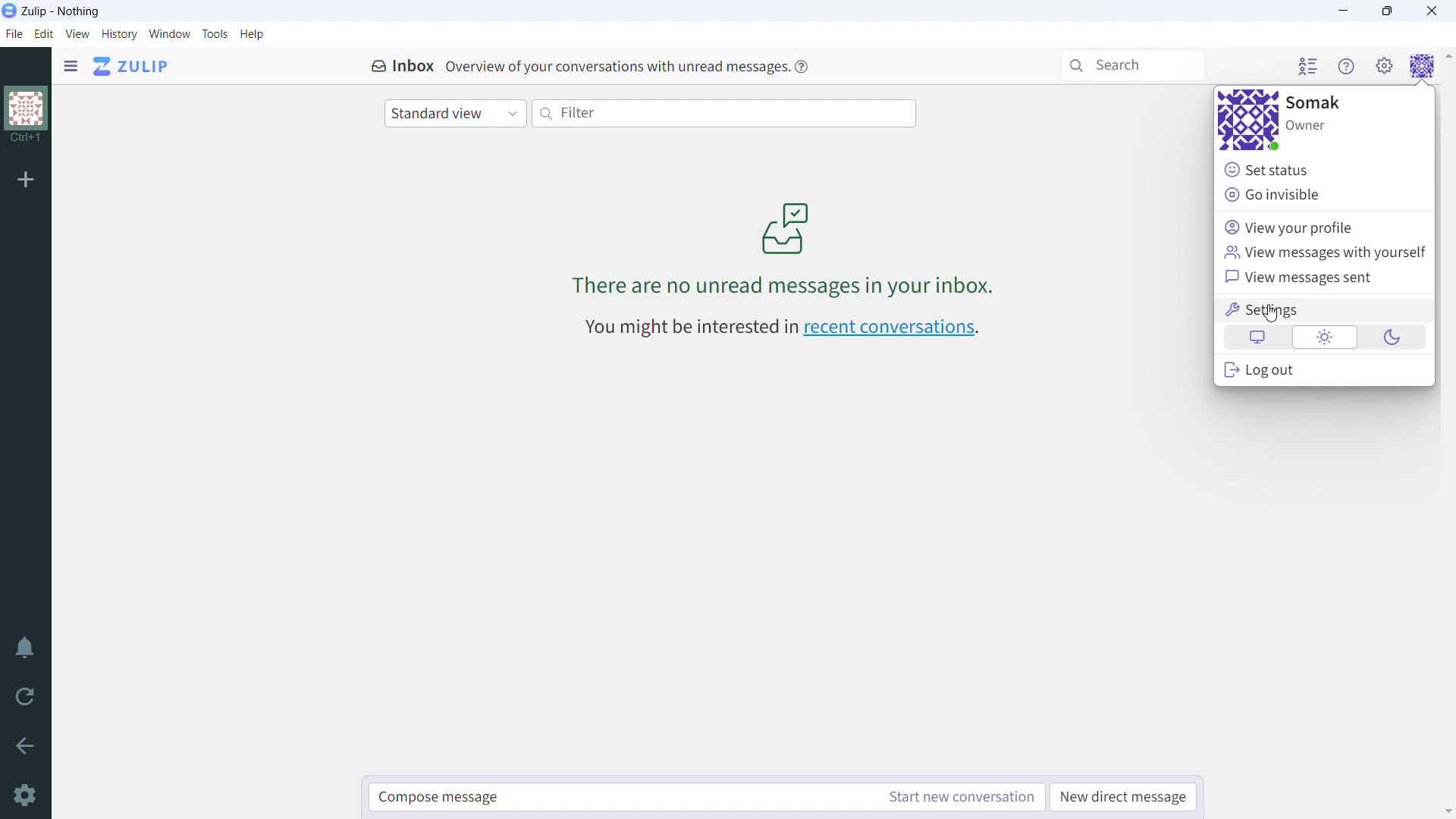  What do you see at coordinates (1324, 168) in the screenshot?
I see `set status` at bounding box center [1324, 168].